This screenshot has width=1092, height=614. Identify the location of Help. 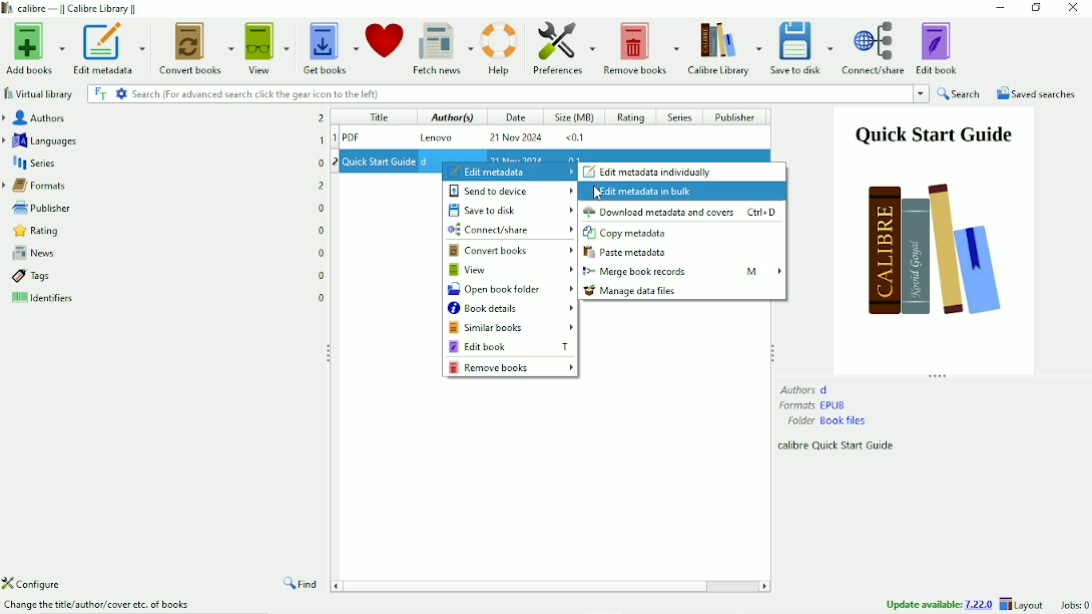
(500, 46).